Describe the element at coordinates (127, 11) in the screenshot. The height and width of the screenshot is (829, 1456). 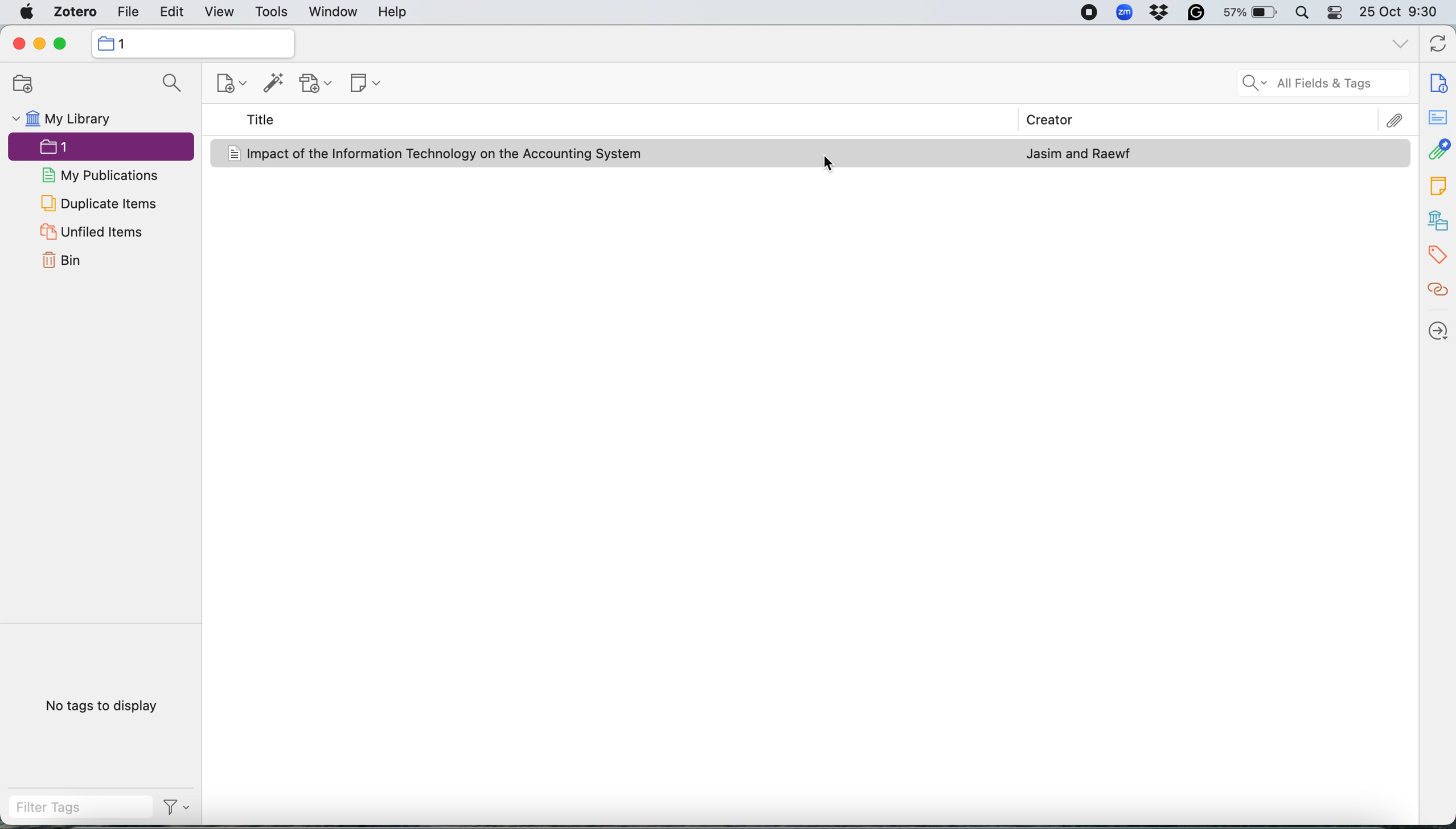
I see `file` at that location.